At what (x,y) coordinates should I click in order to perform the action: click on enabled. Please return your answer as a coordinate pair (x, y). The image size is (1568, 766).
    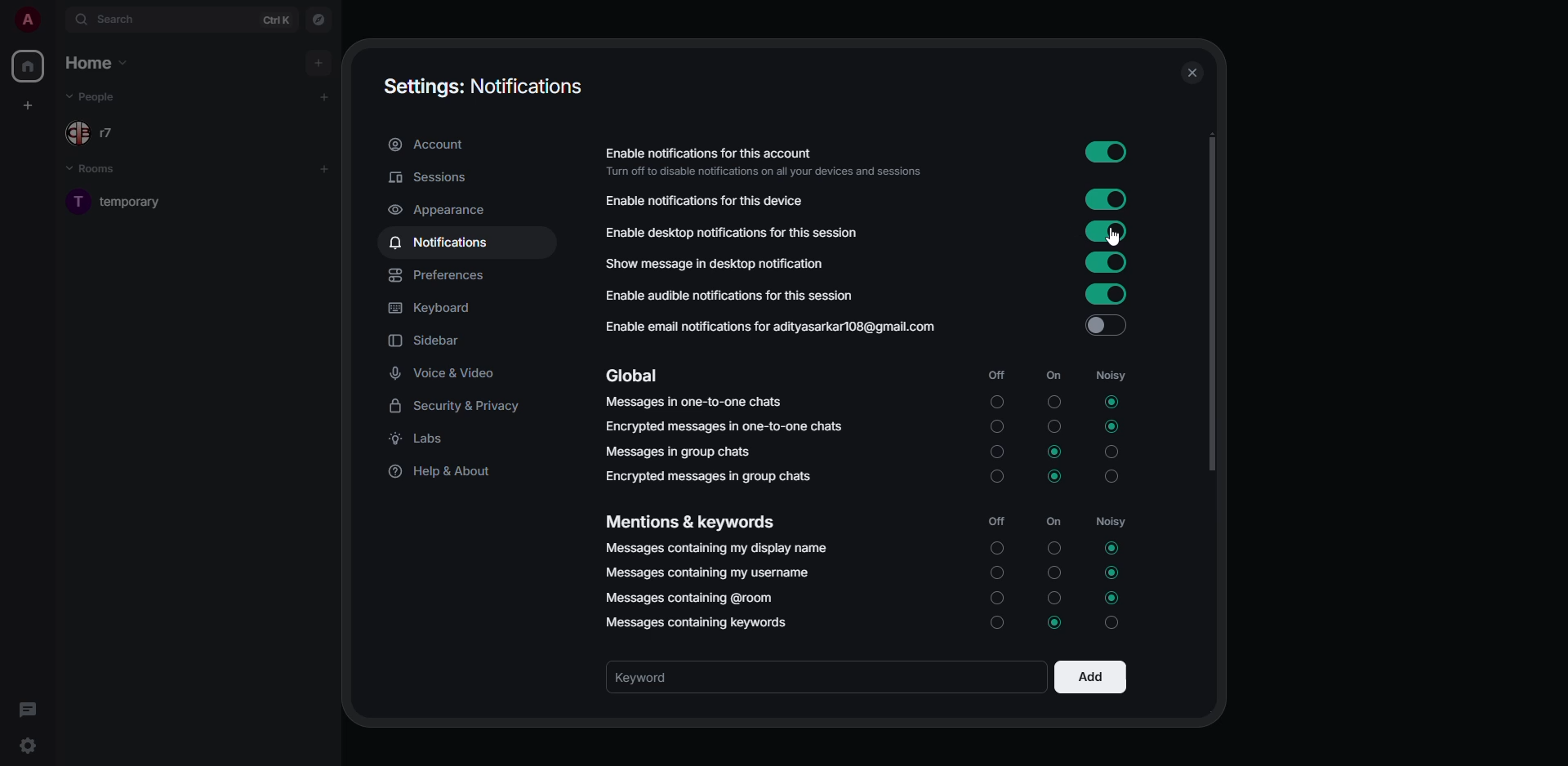
    Looking at the image, I should click on (1107, 231).